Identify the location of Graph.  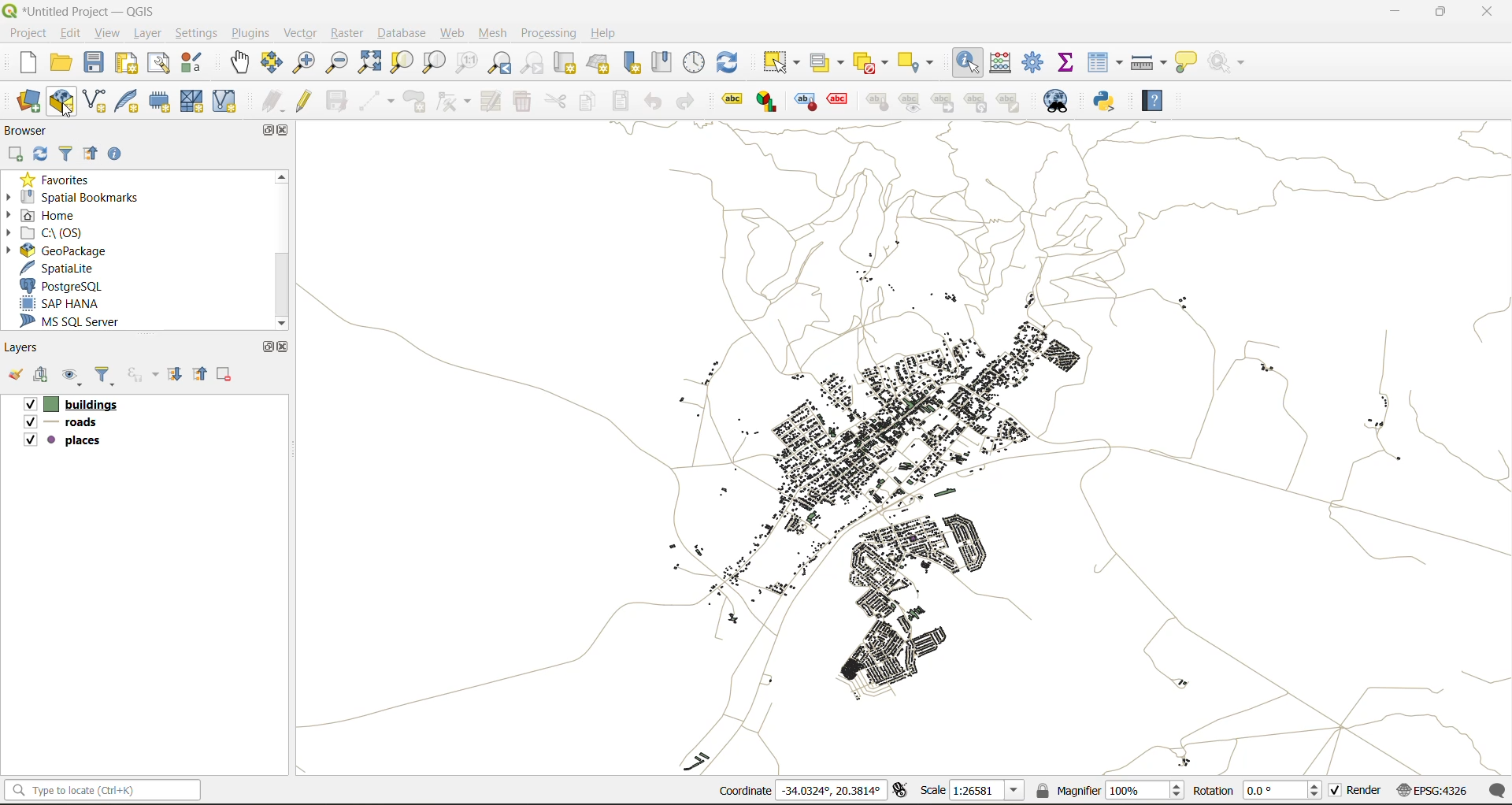
(764, 102).